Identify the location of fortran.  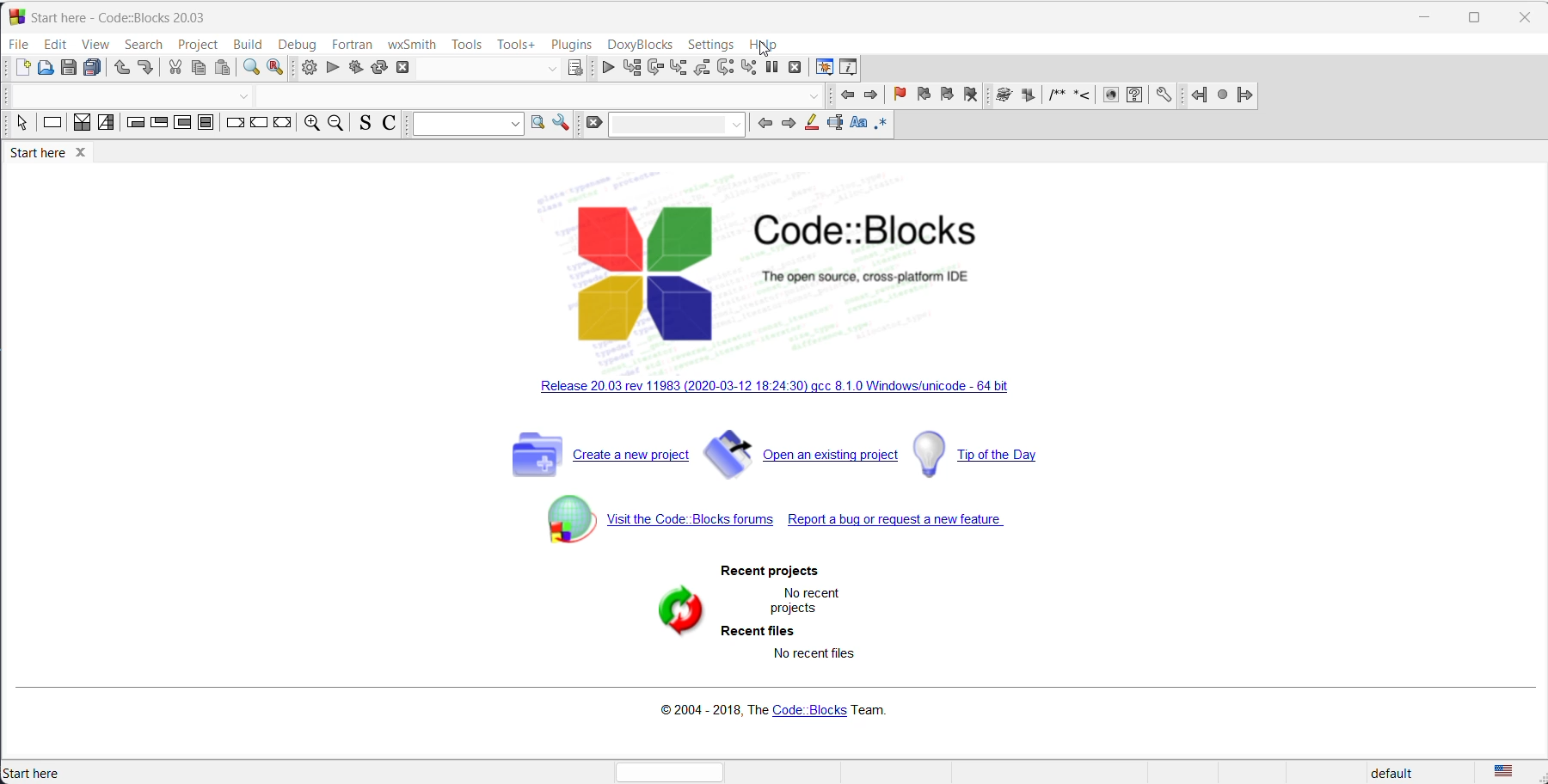
(353, 44).